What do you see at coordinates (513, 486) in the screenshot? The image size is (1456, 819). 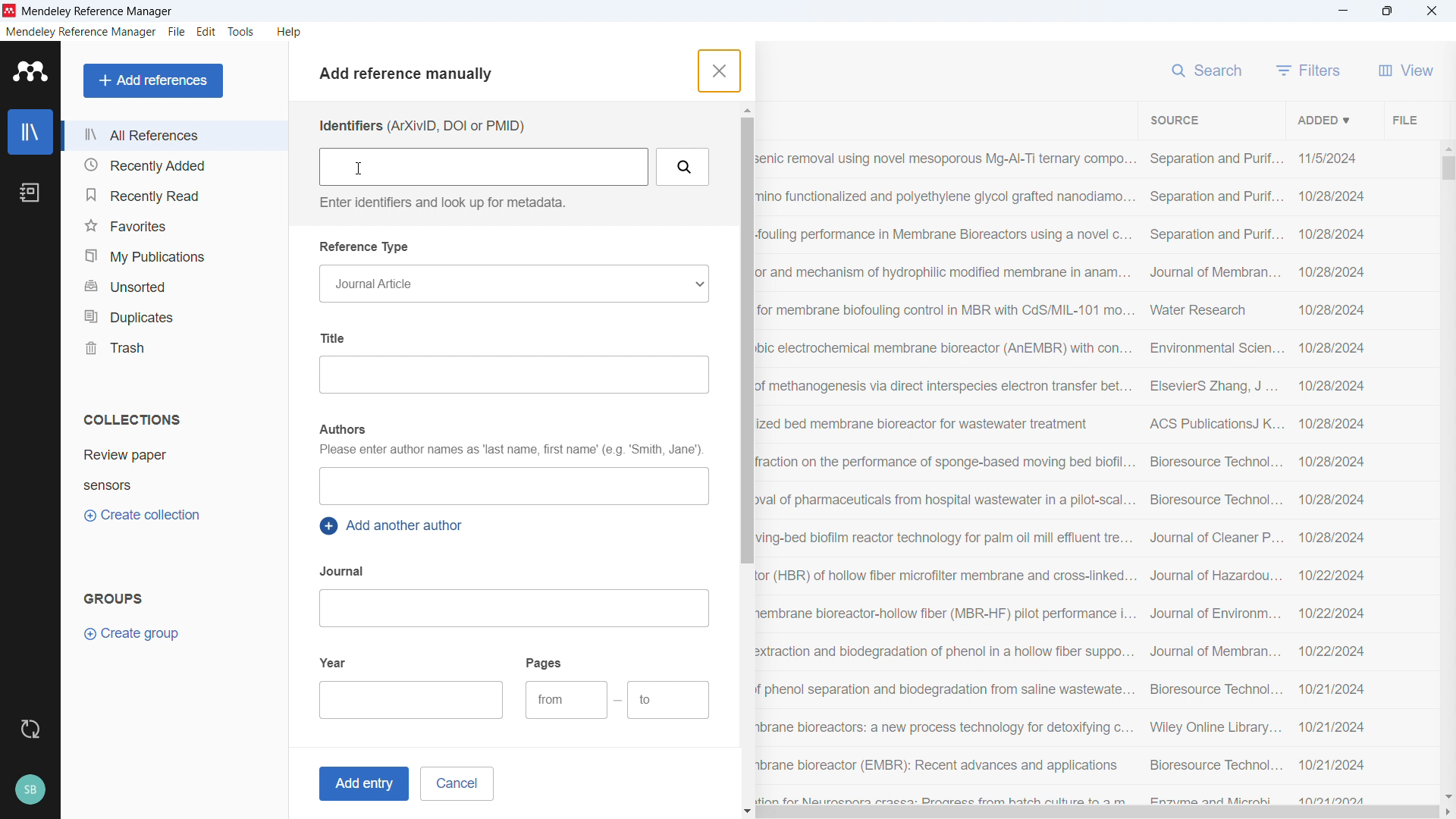 I see `Add authors ` at bounding box center [513, 486].